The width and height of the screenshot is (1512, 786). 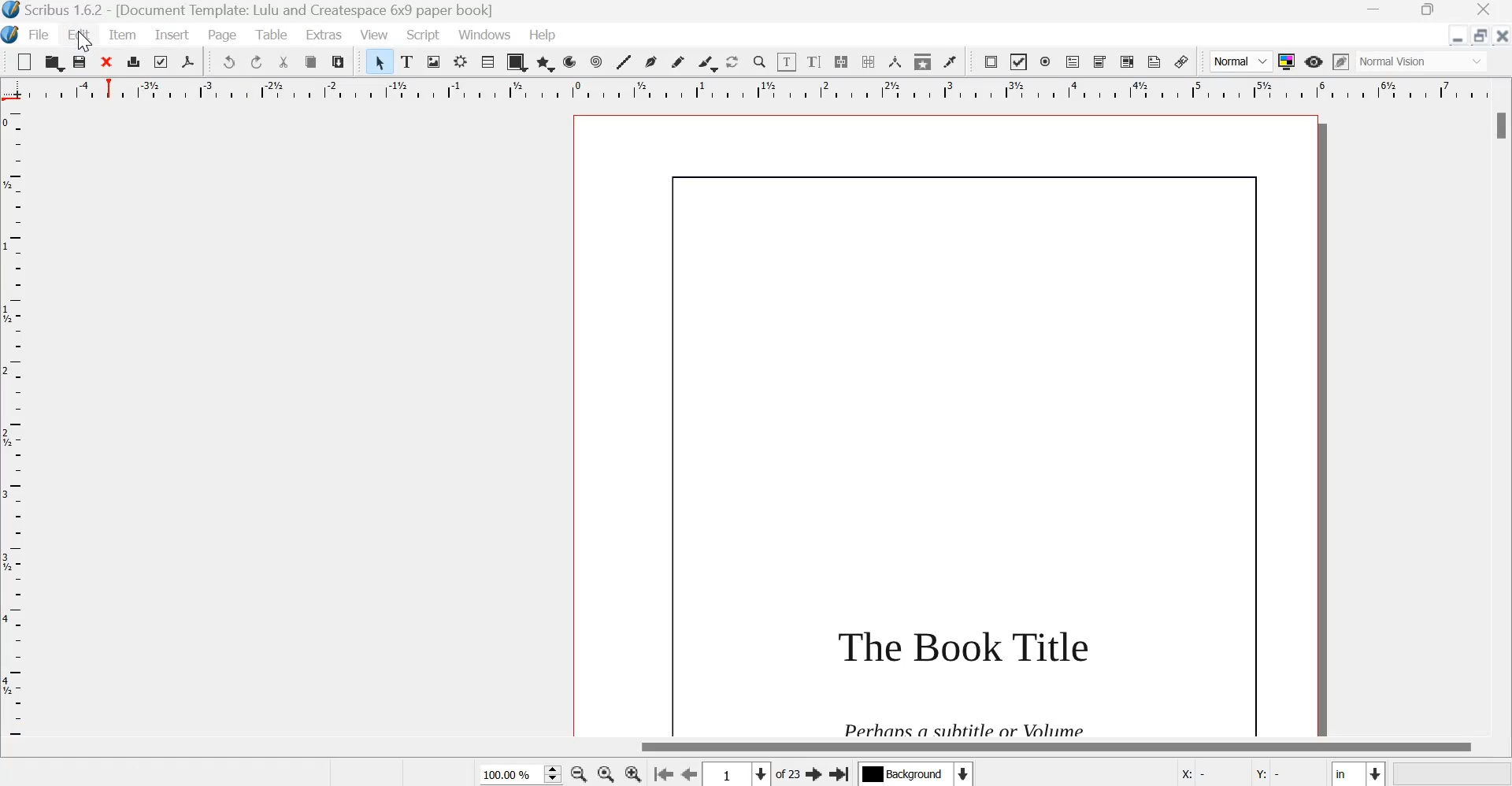 I want to click on Table, so click(x=487, y=62).